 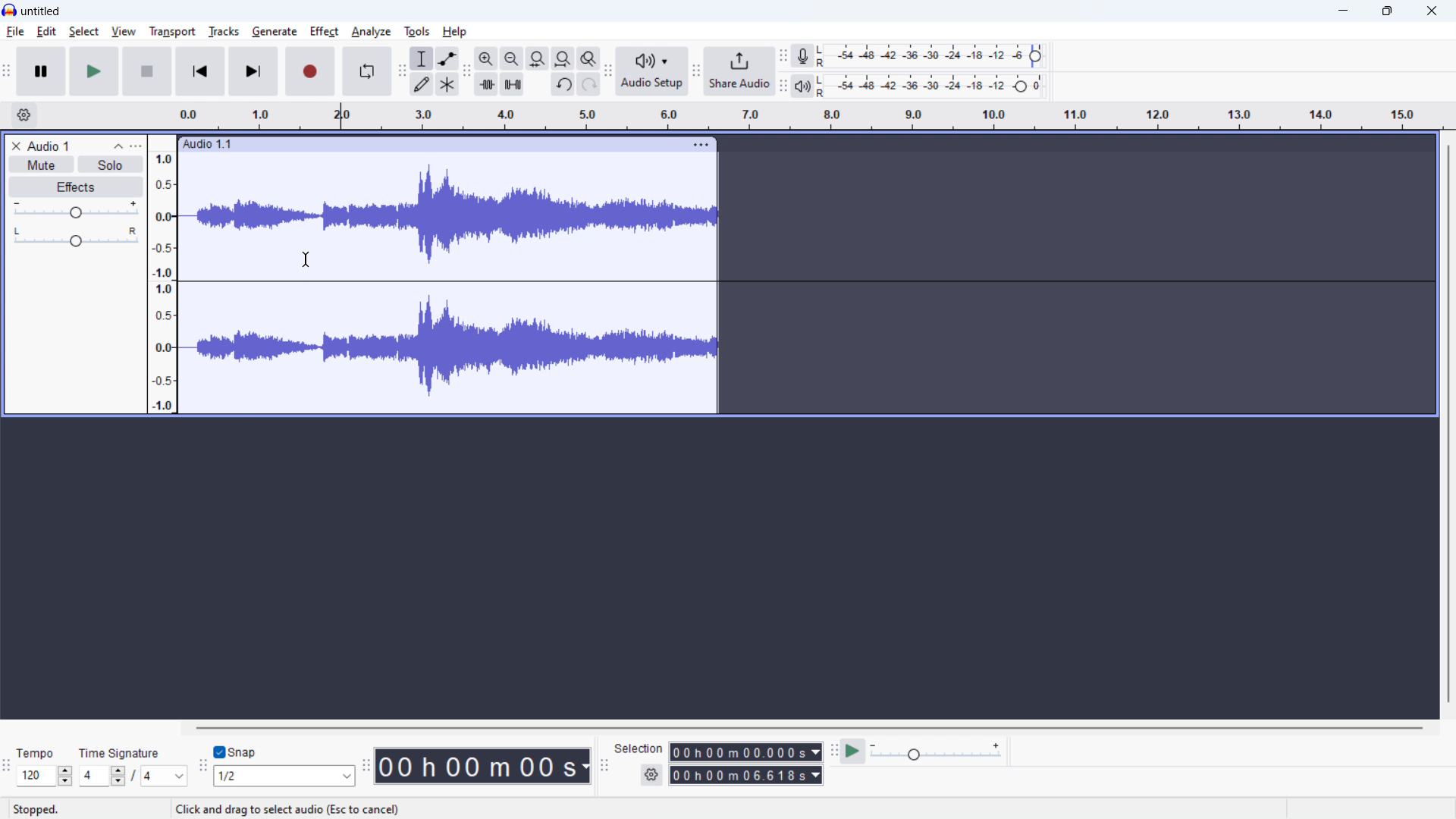 What do you see at coordinates (253, 71) in the screenshot?
I see `skip to end` at bounding box center [253, 71].